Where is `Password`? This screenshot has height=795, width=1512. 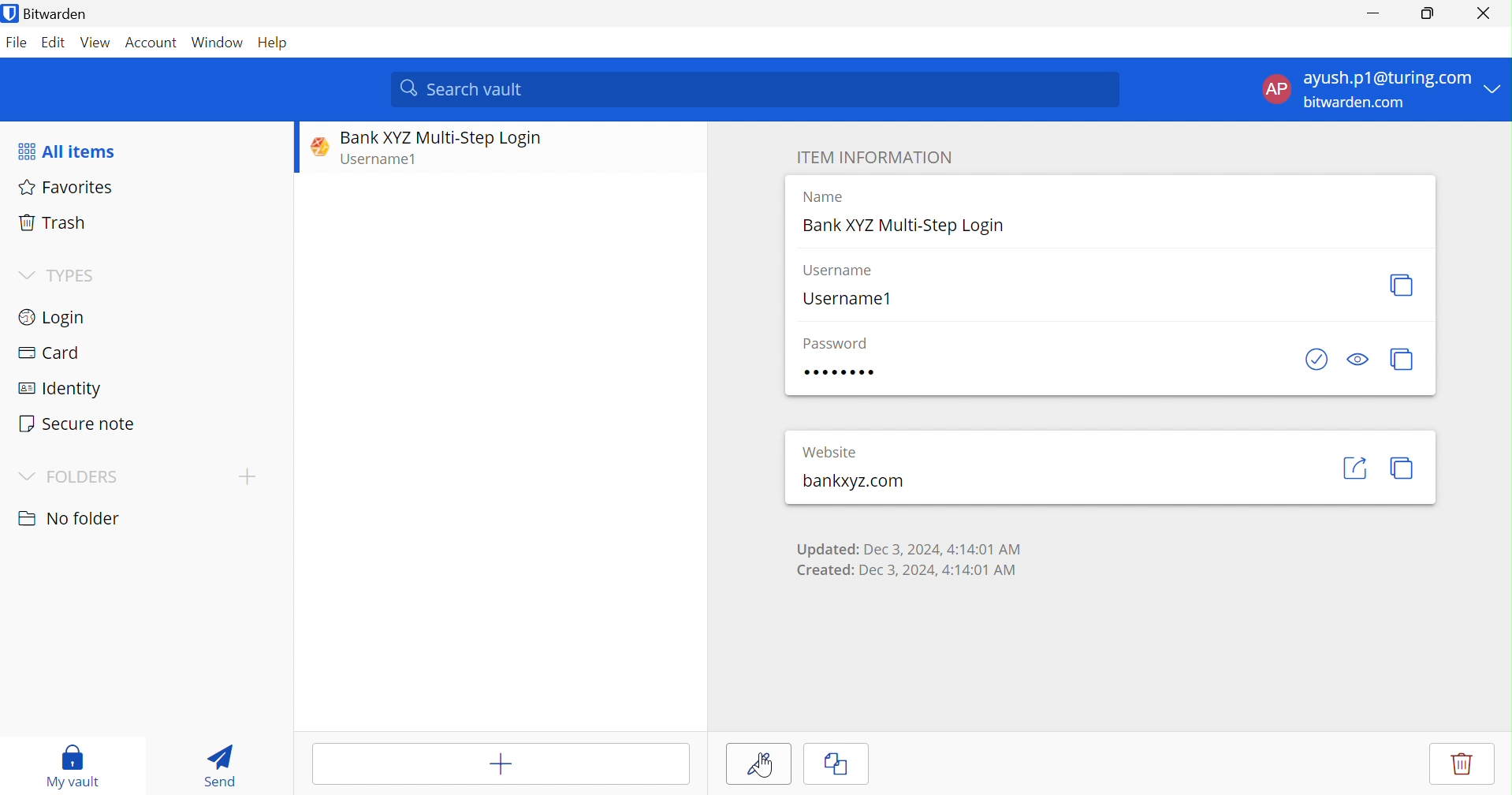 Password is located at coordinates (847, 374).